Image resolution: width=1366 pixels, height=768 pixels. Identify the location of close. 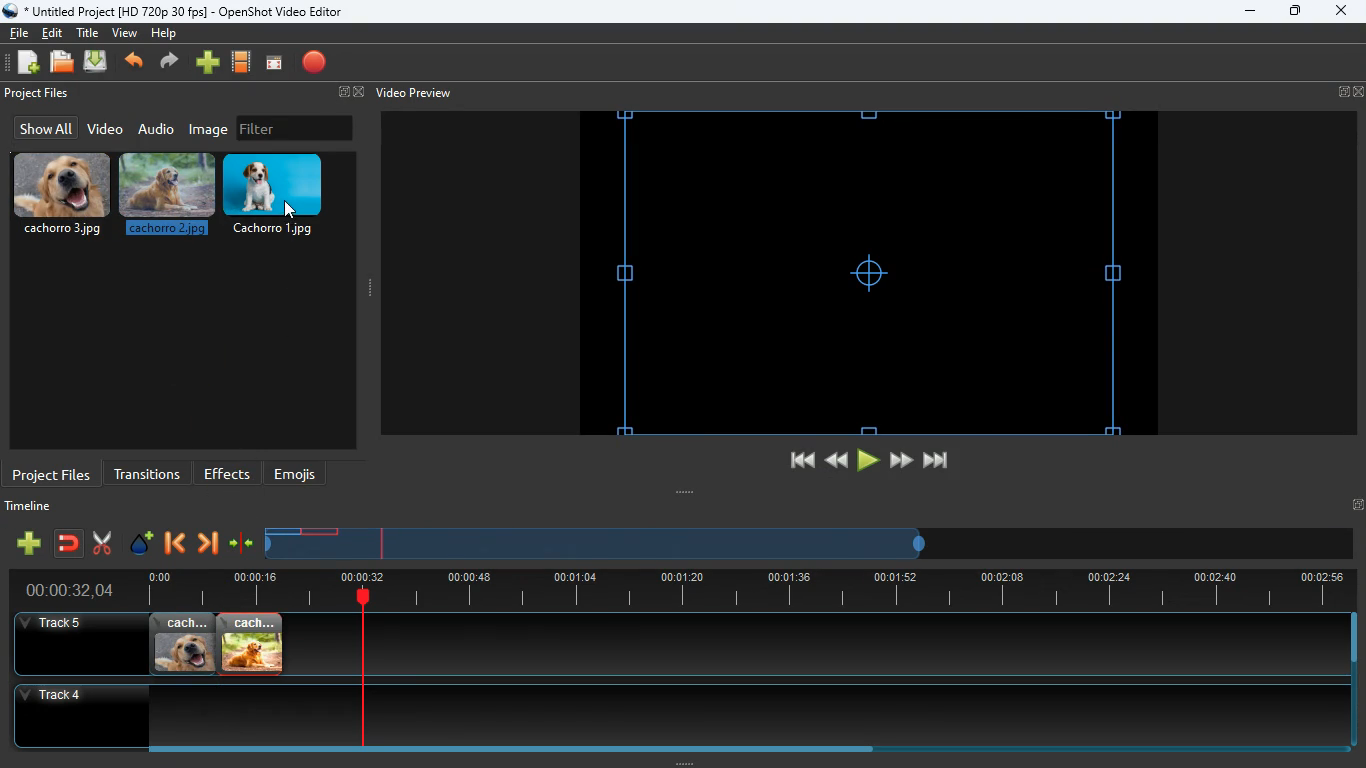
(1340, 12).